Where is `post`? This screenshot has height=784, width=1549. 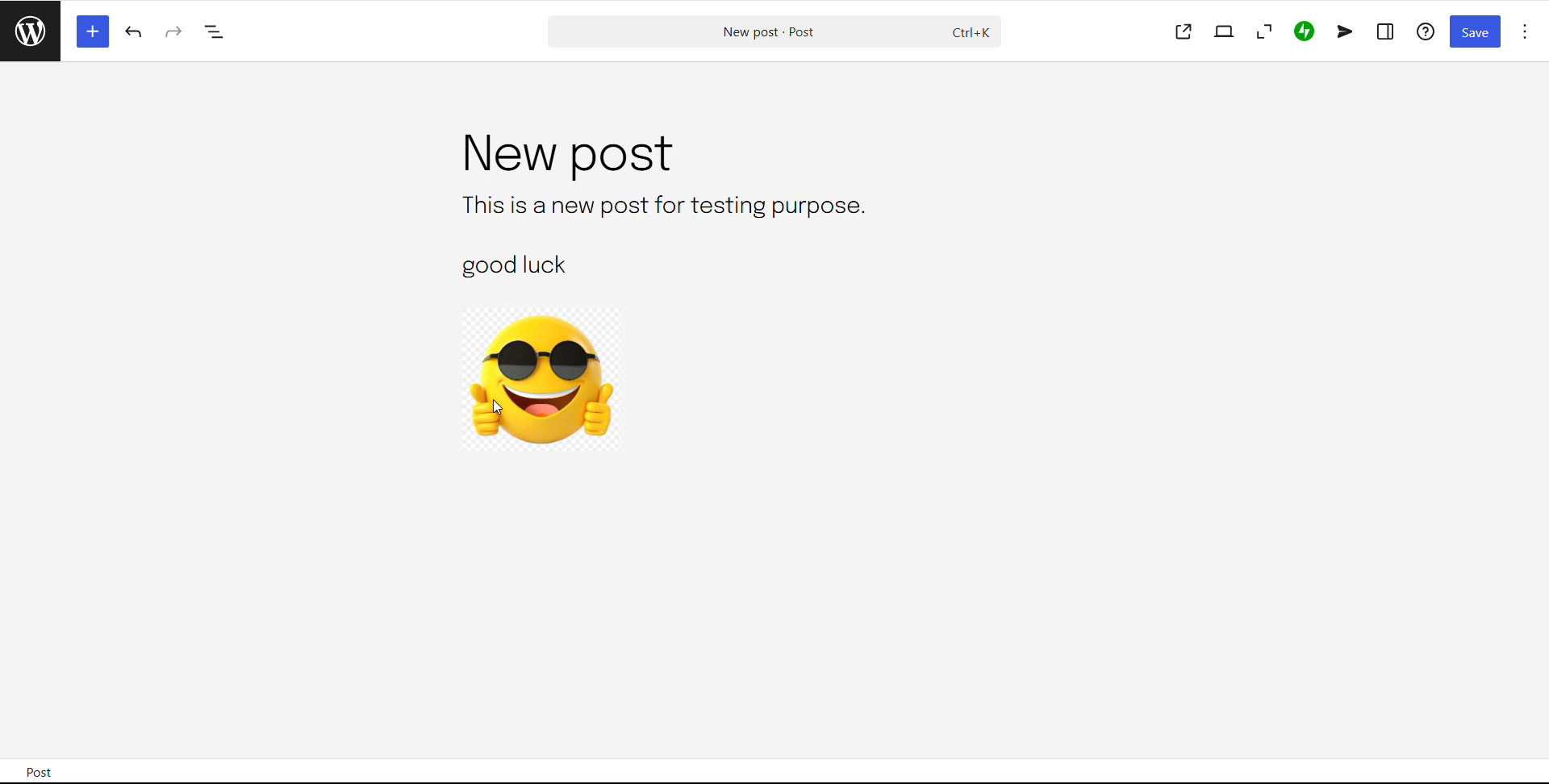 post is located at coordinates (50, 770).